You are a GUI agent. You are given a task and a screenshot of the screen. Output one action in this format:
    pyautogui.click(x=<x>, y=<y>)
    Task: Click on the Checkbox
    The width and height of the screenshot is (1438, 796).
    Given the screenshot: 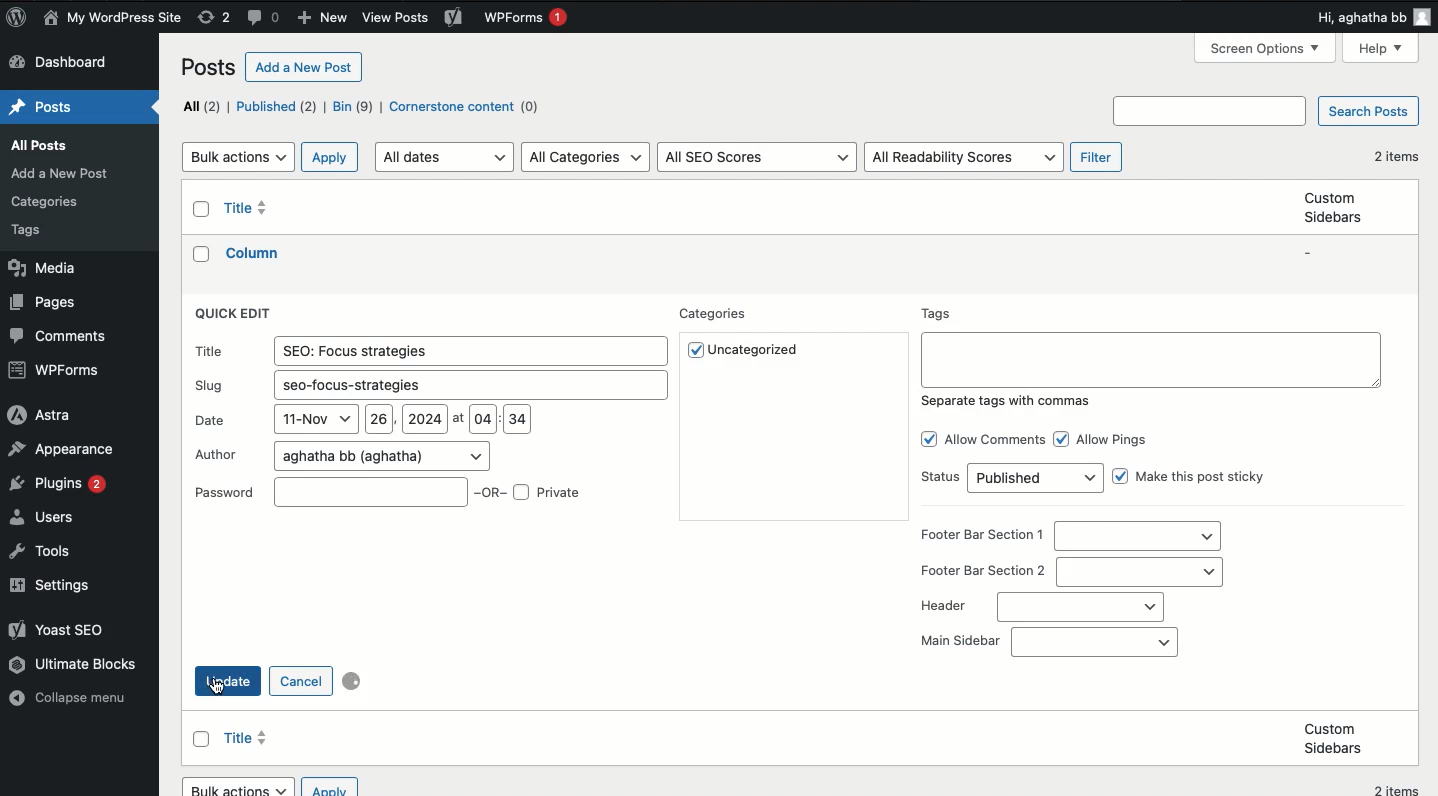 What is the action you would take?
    pyautogui.click(x=693, y=351)
    